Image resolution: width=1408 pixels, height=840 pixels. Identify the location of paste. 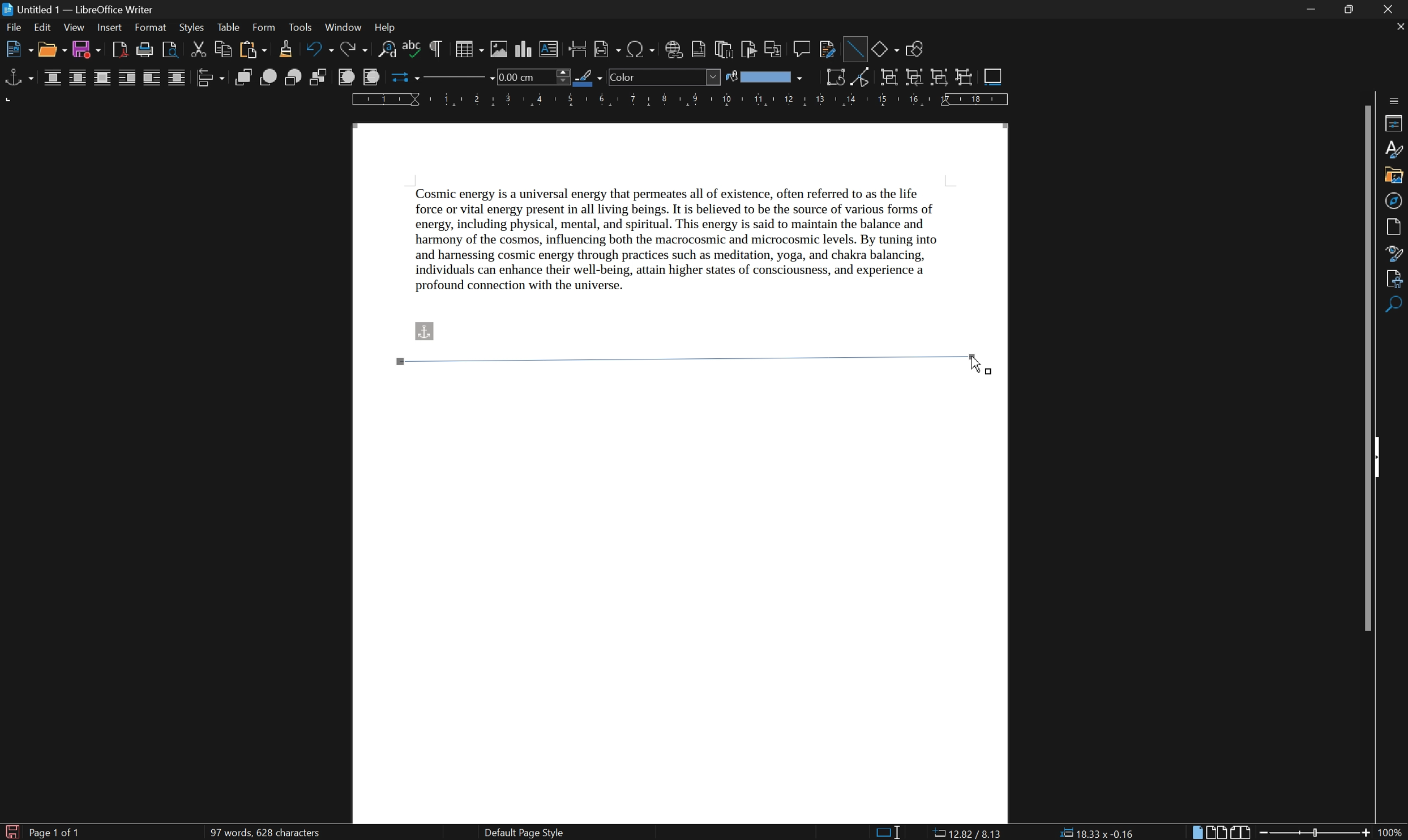
(251, 50).